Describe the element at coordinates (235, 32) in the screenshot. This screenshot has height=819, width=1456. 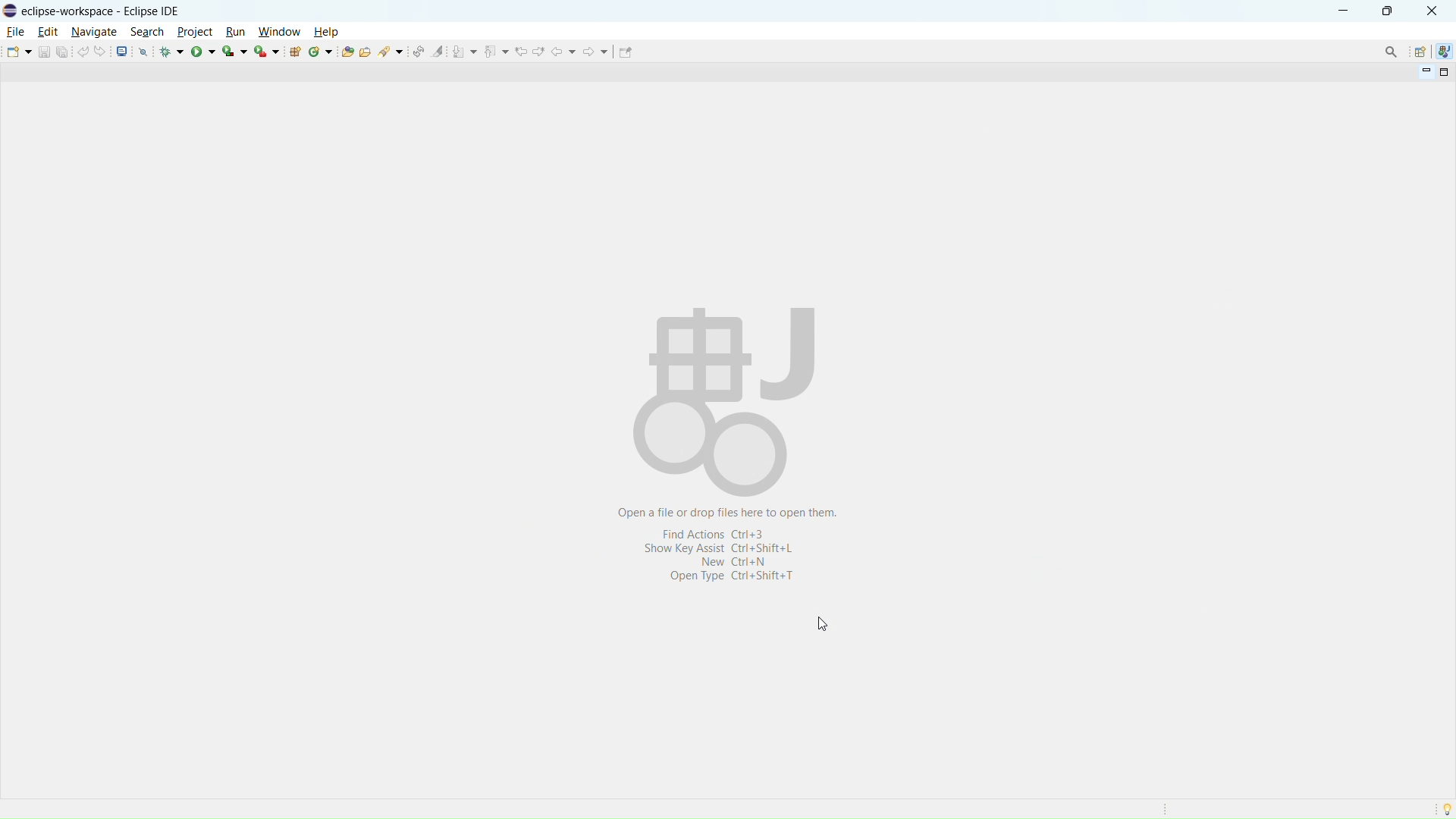
I see `run` at that location.